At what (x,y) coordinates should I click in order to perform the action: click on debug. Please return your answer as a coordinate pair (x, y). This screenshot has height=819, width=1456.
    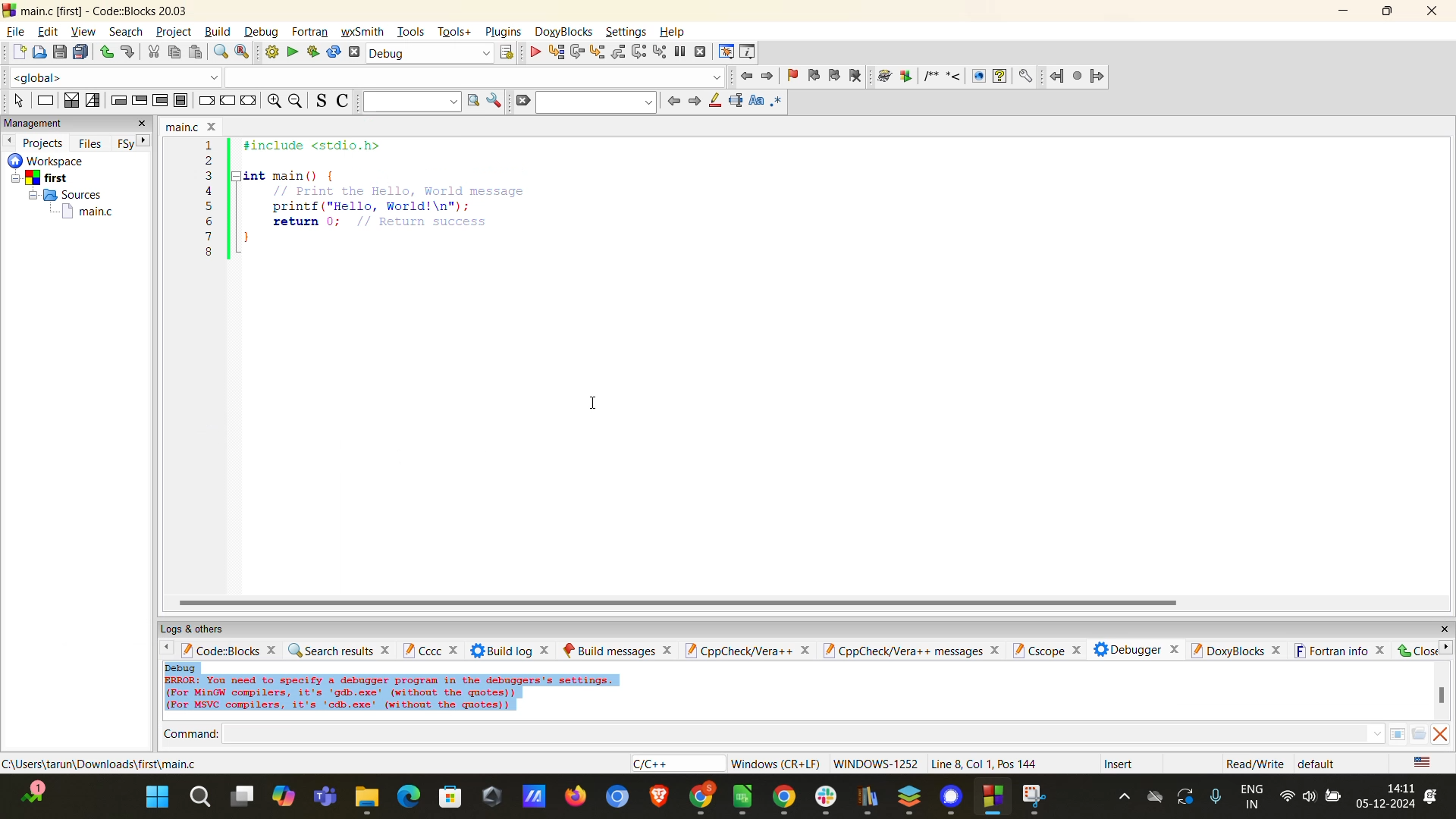
    Looking at the image, I should click on (262, 32).